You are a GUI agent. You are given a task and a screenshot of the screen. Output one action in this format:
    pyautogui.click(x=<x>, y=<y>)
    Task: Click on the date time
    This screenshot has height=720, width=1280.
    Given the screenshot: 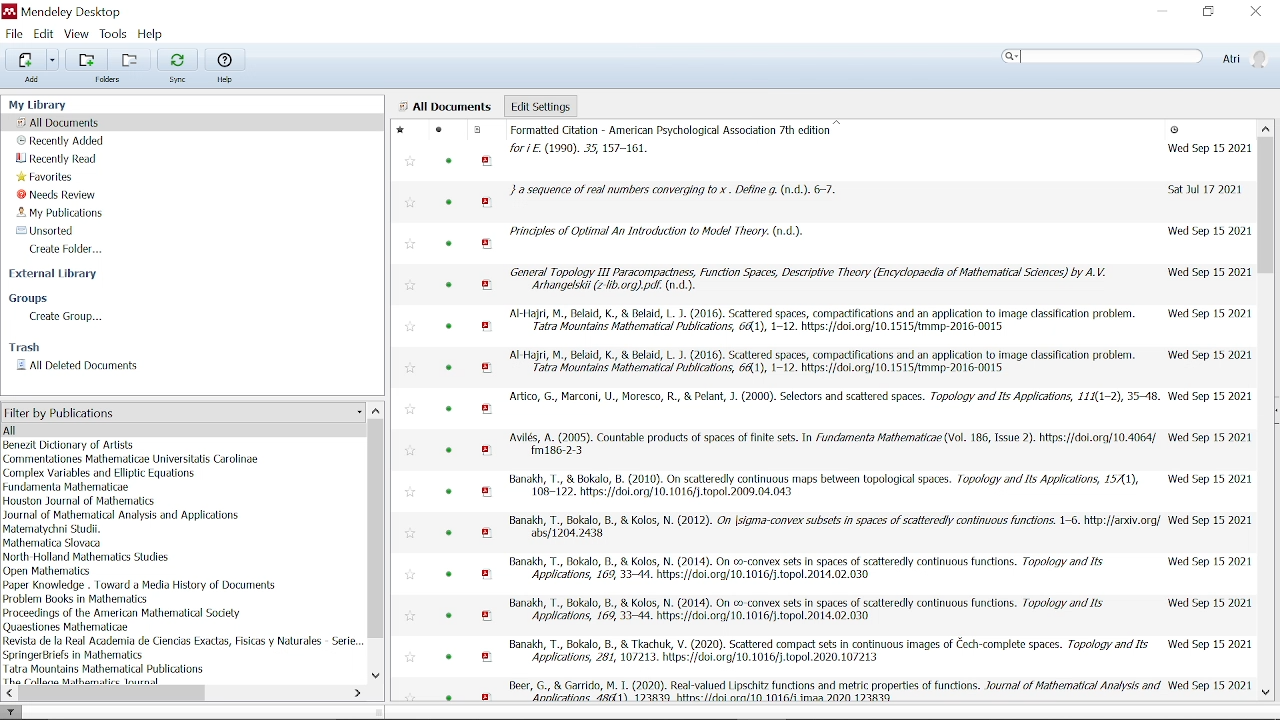 What is the action you would take?
    pyautogui.click(x=1210, y=685)
    